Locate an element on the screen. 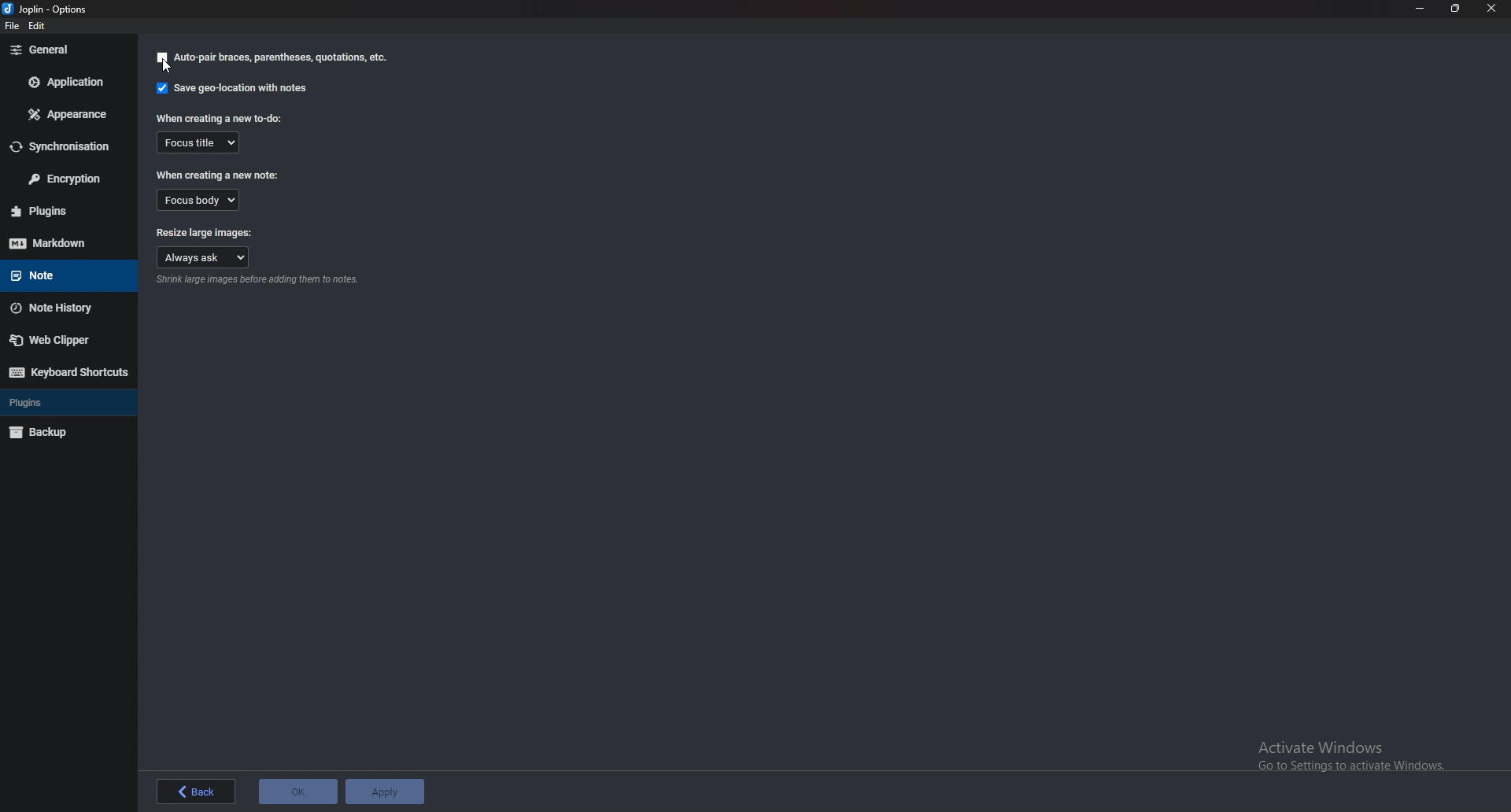 This screenshot has height=812, width=1511. Resize large images is located at coordinates (205, 231).